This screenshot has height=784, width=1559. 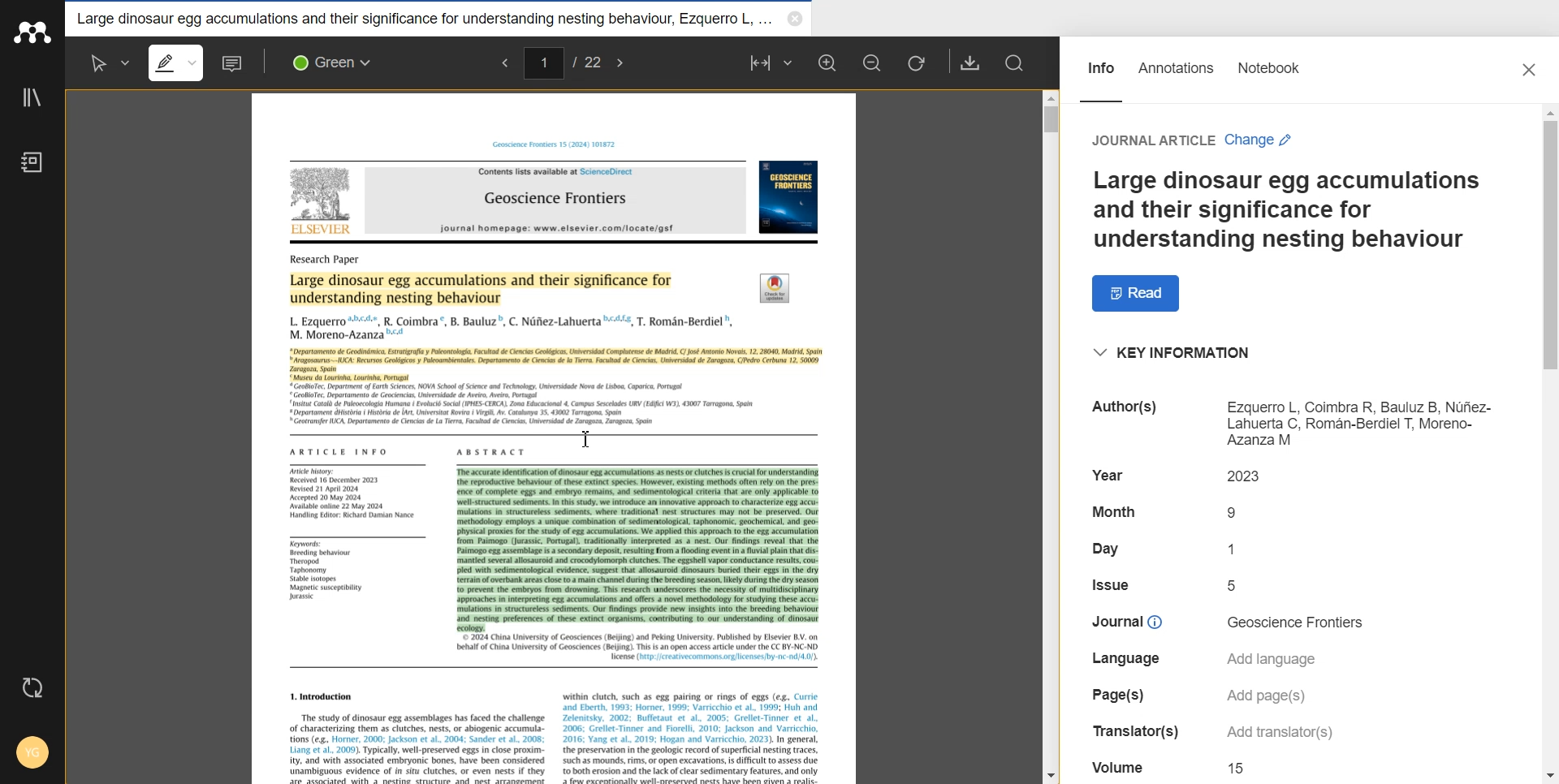 What do you see at coordinates (555, 200) in the screenshot?
I see `title` at bounding box center [555, 200].